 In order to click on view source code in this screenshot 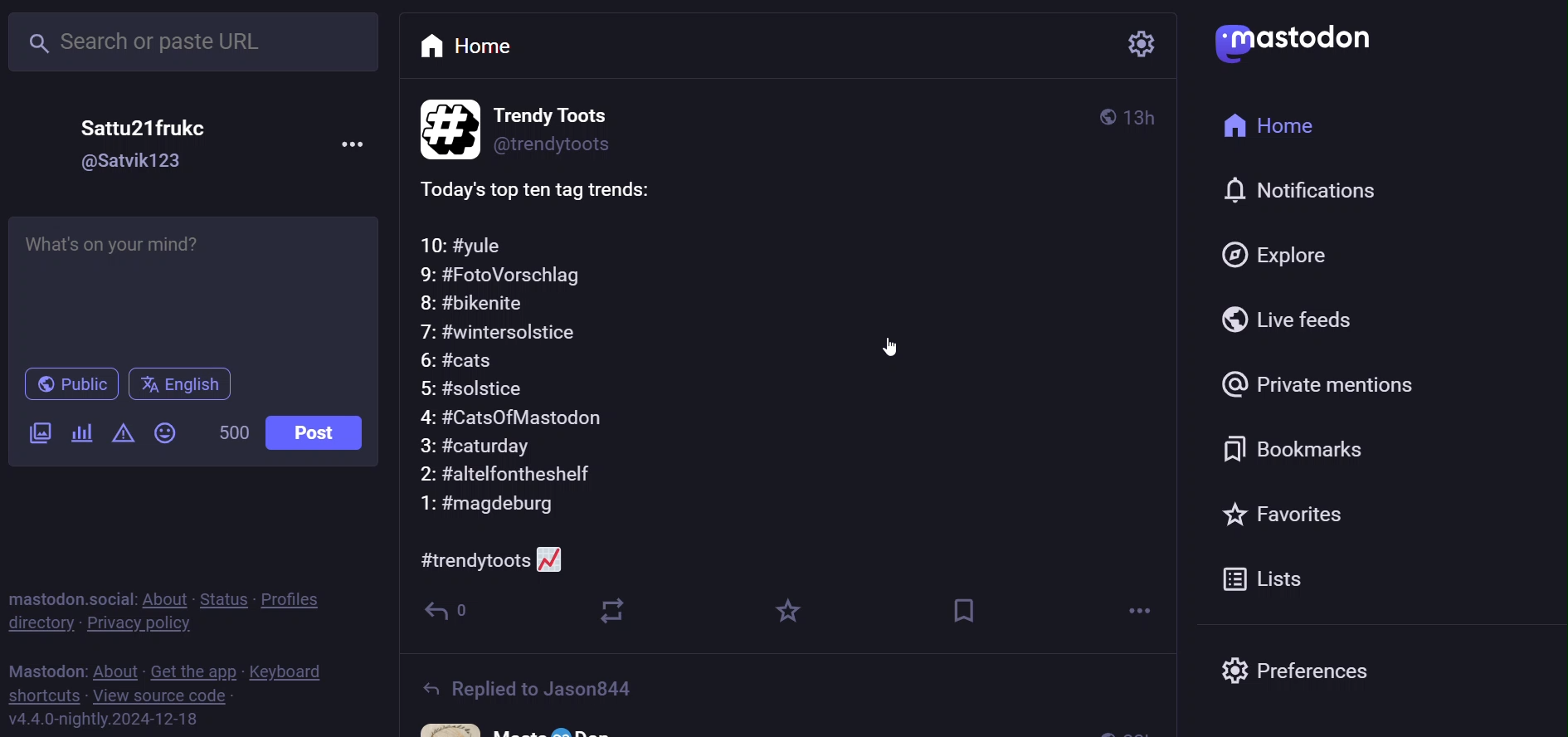, I will do `click(163, 694)`.